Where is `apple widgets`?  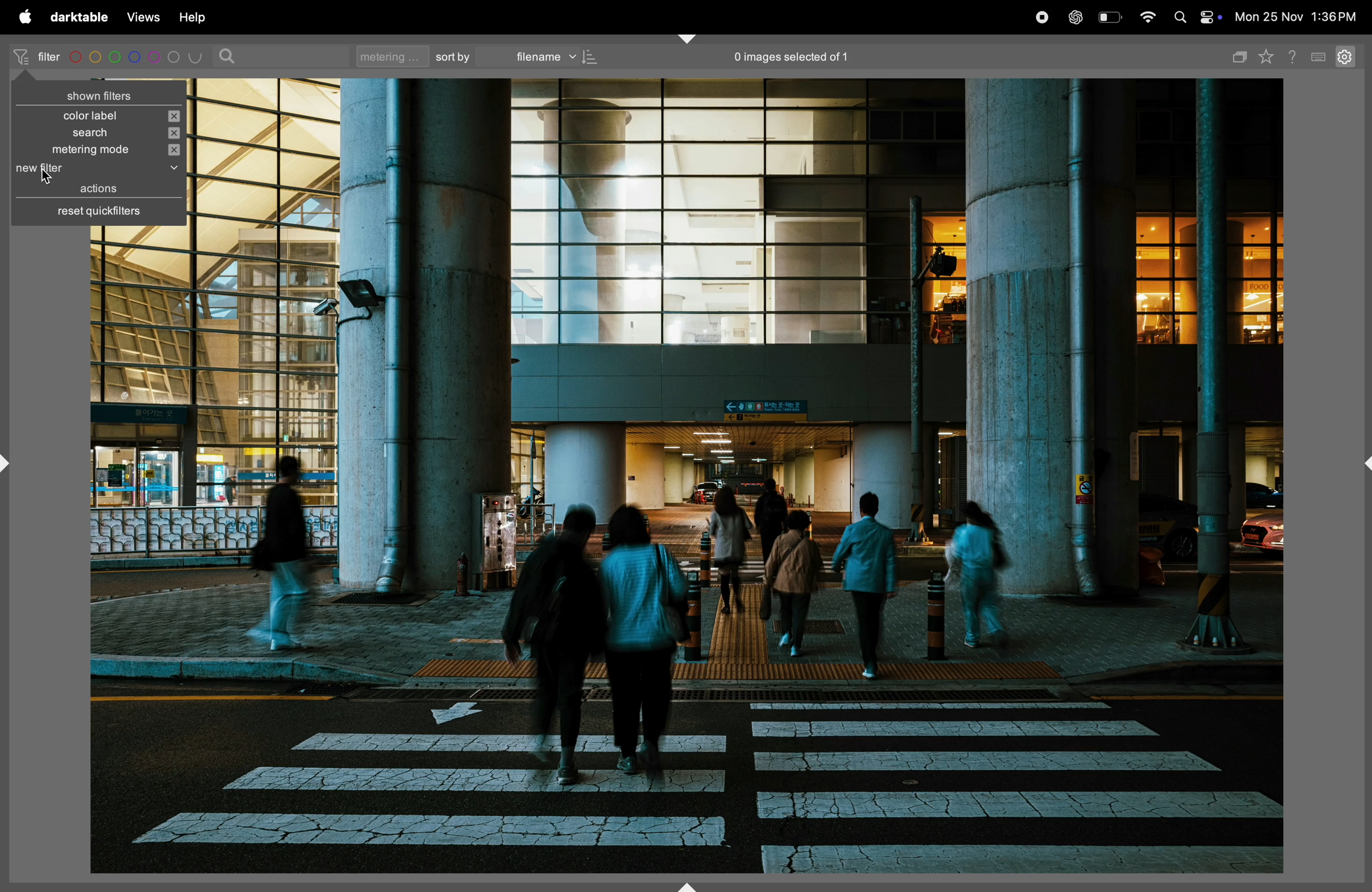
apple widgets is located at coordinates (1212, 18).